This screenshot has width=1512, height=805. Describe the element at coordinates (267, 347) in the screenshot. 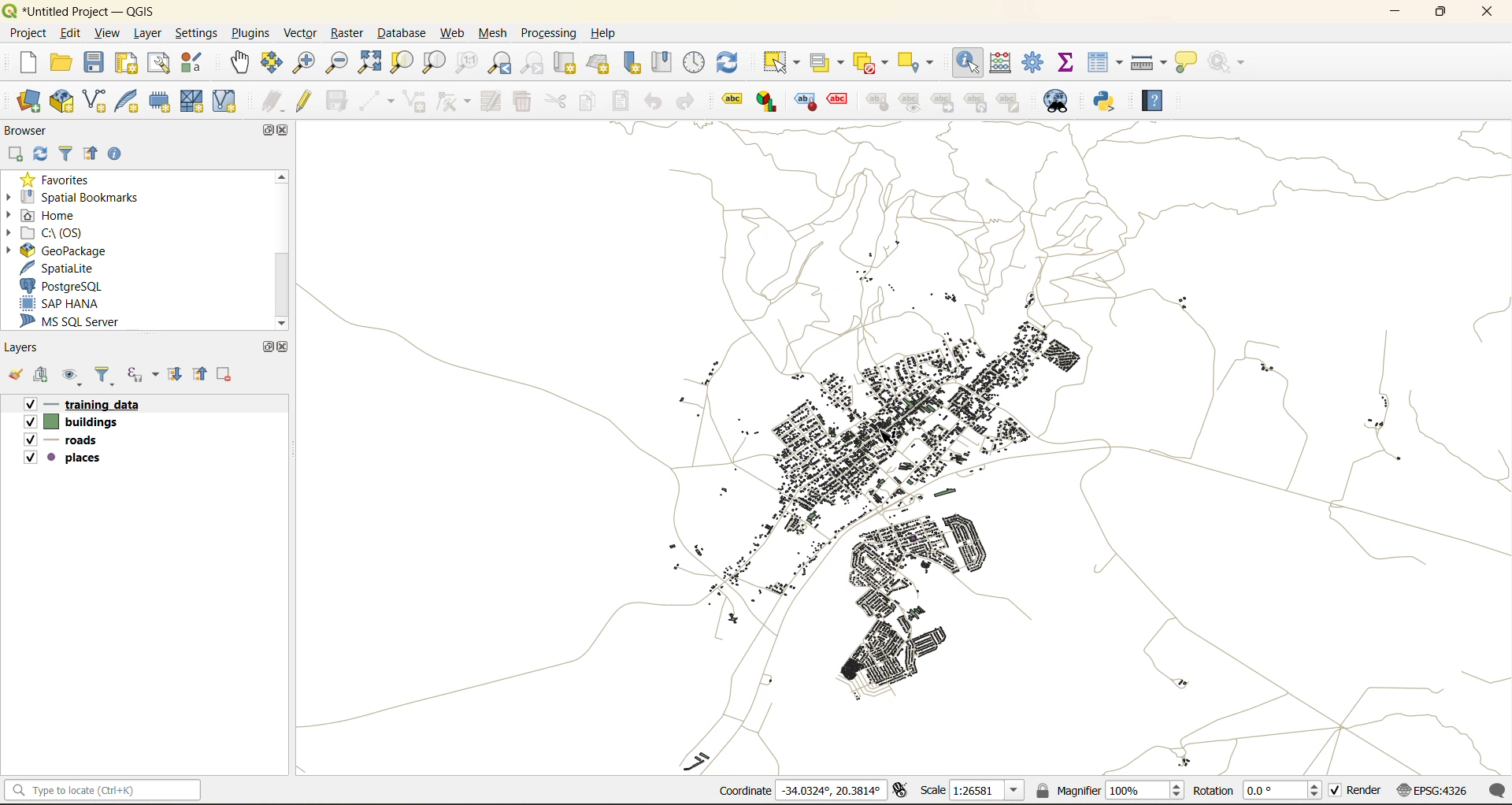

I see `maximize` at that location.